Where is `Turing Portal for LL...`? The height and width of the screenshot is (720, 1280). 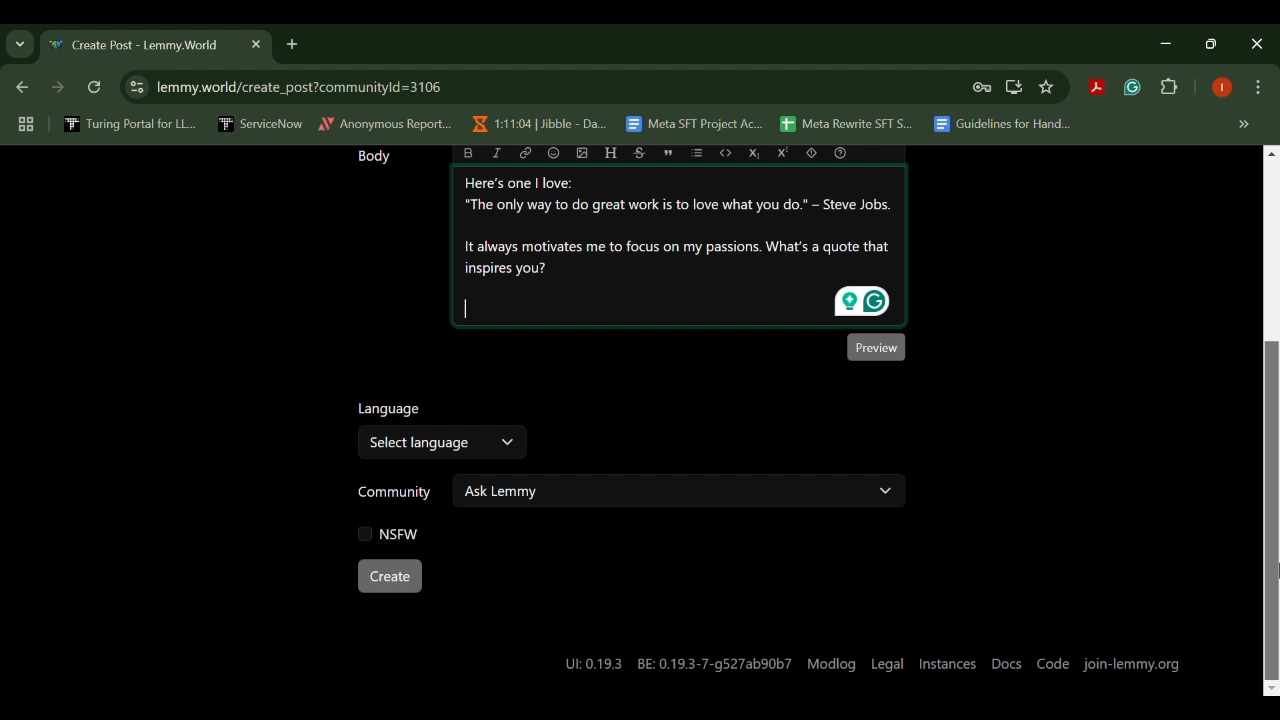
Turing Portal for LL... is located at coordinates (130, 126).